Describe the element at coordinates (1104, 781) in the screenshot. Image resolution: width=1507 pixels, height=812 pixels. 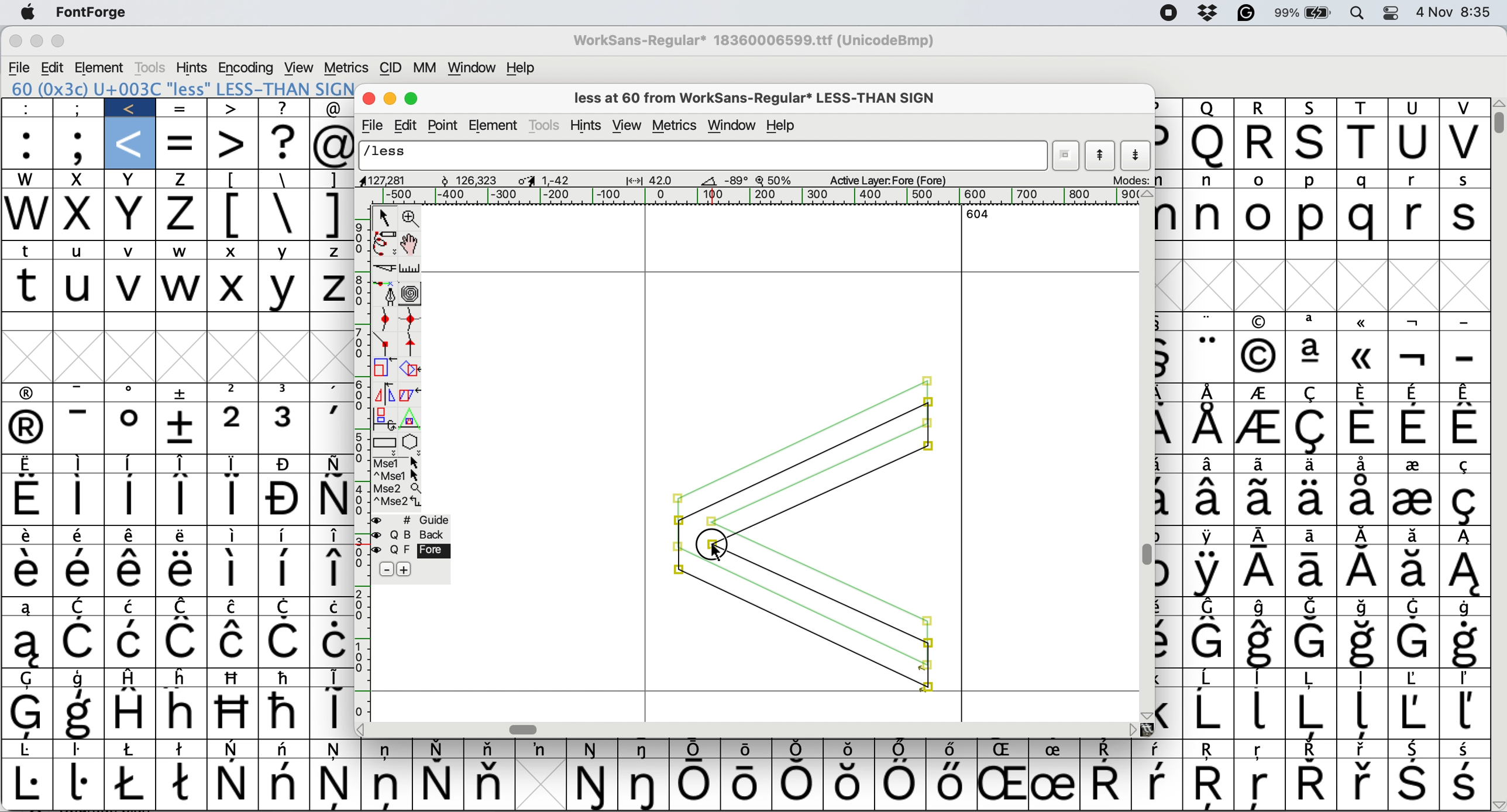
I see `Symbol` at that location.